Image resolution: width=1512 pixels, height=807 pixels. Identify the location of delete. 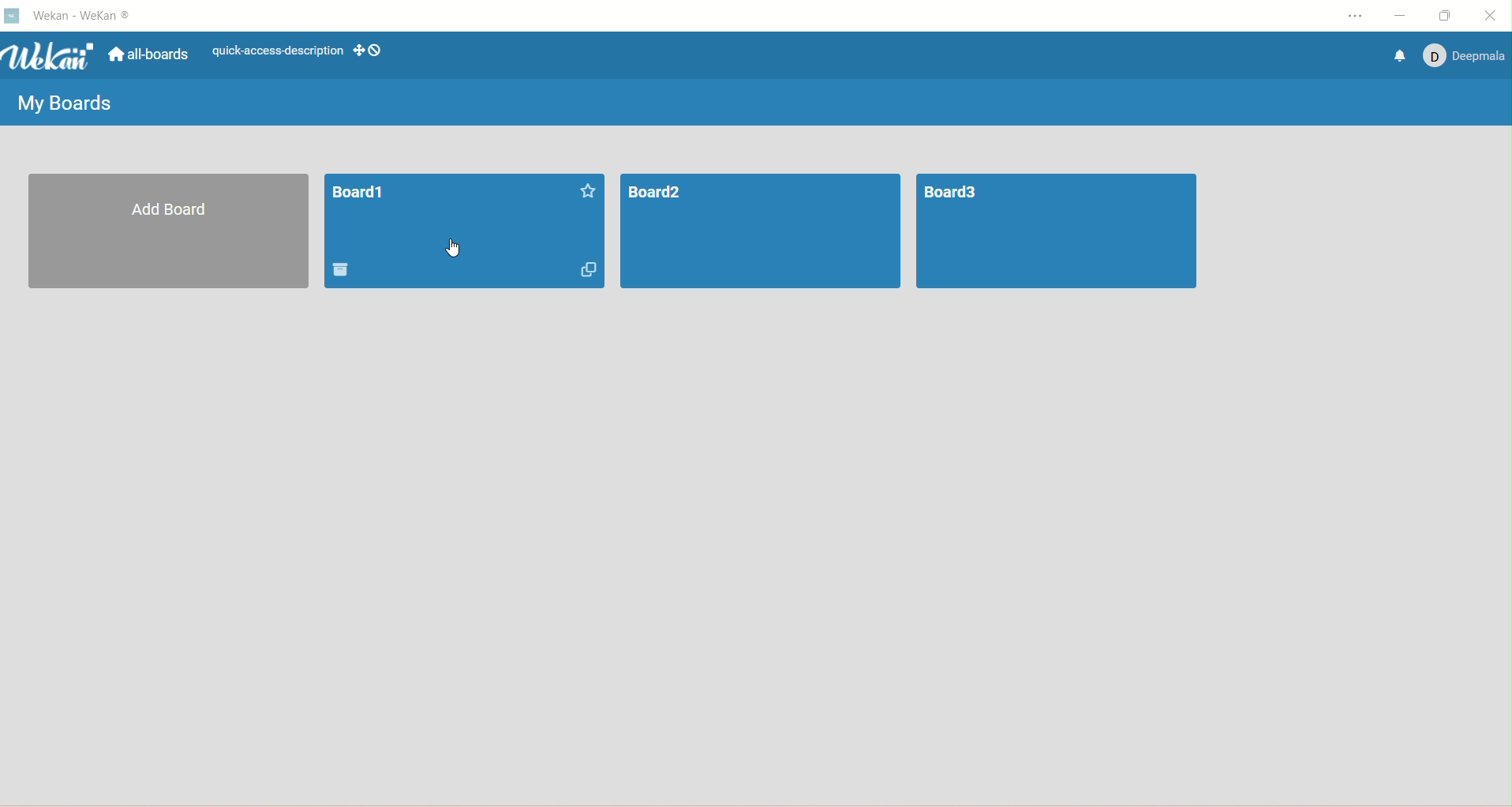
(341, 269).